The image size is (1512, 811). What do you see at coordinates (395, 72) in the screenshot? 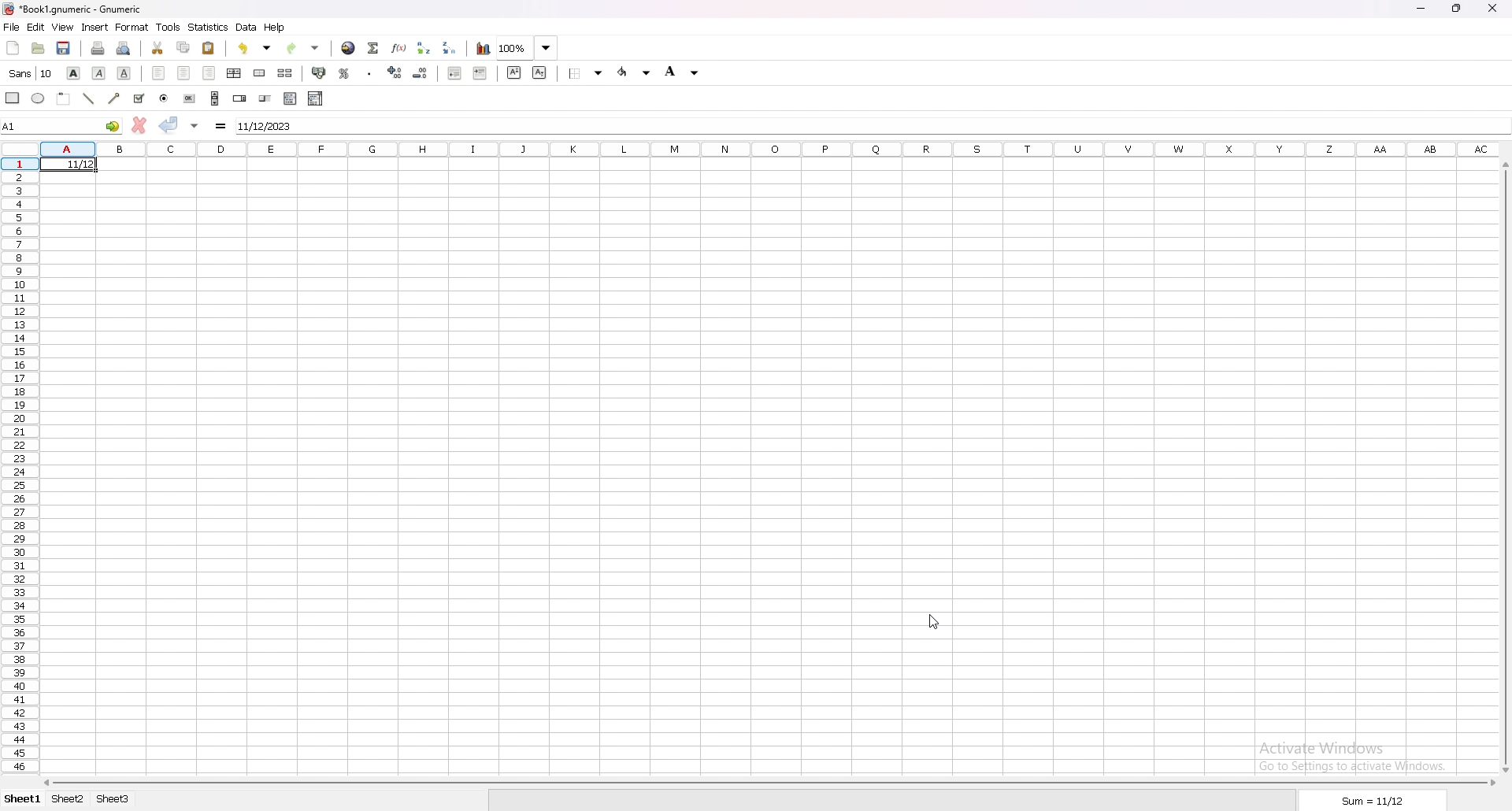
I see `increase indent` at bounding box center [395, 72].